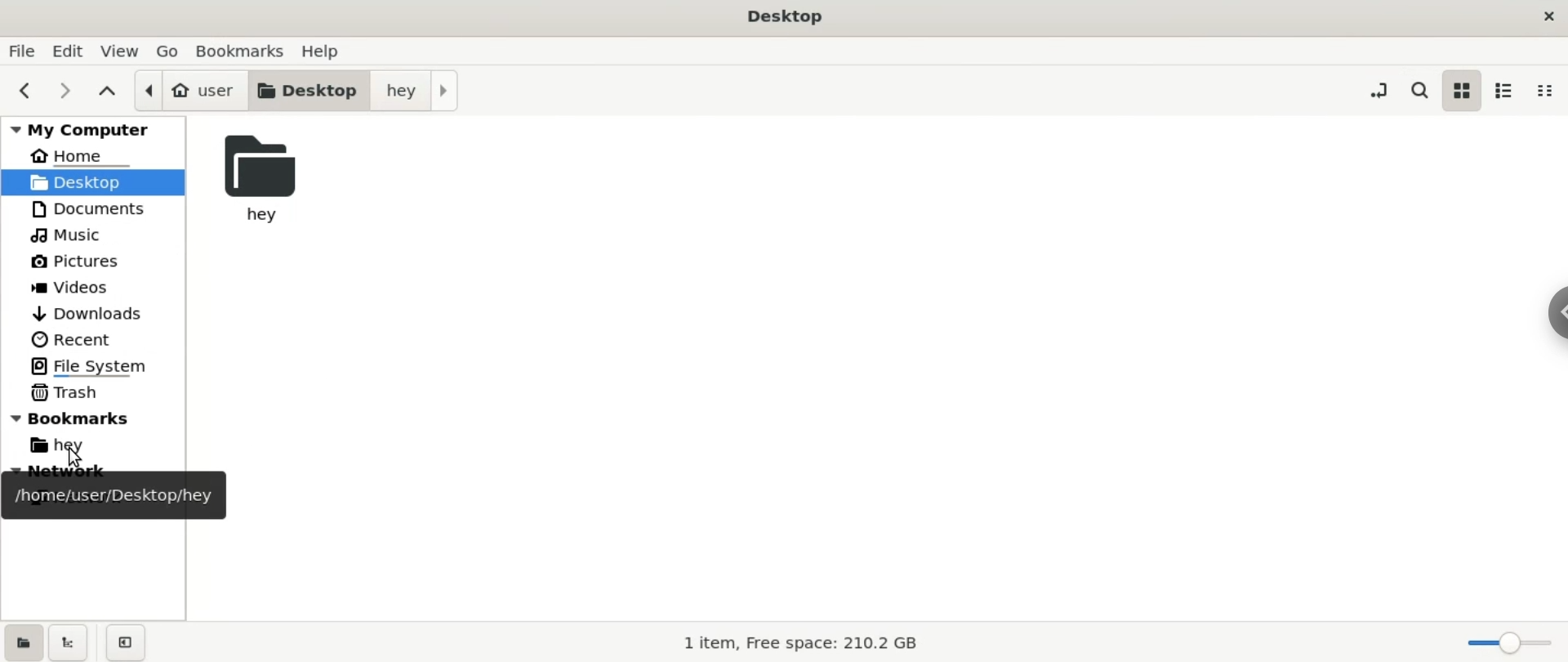 The width and height of the screenshot is (1568, 662). I want to click on trash, so click(69, 393).